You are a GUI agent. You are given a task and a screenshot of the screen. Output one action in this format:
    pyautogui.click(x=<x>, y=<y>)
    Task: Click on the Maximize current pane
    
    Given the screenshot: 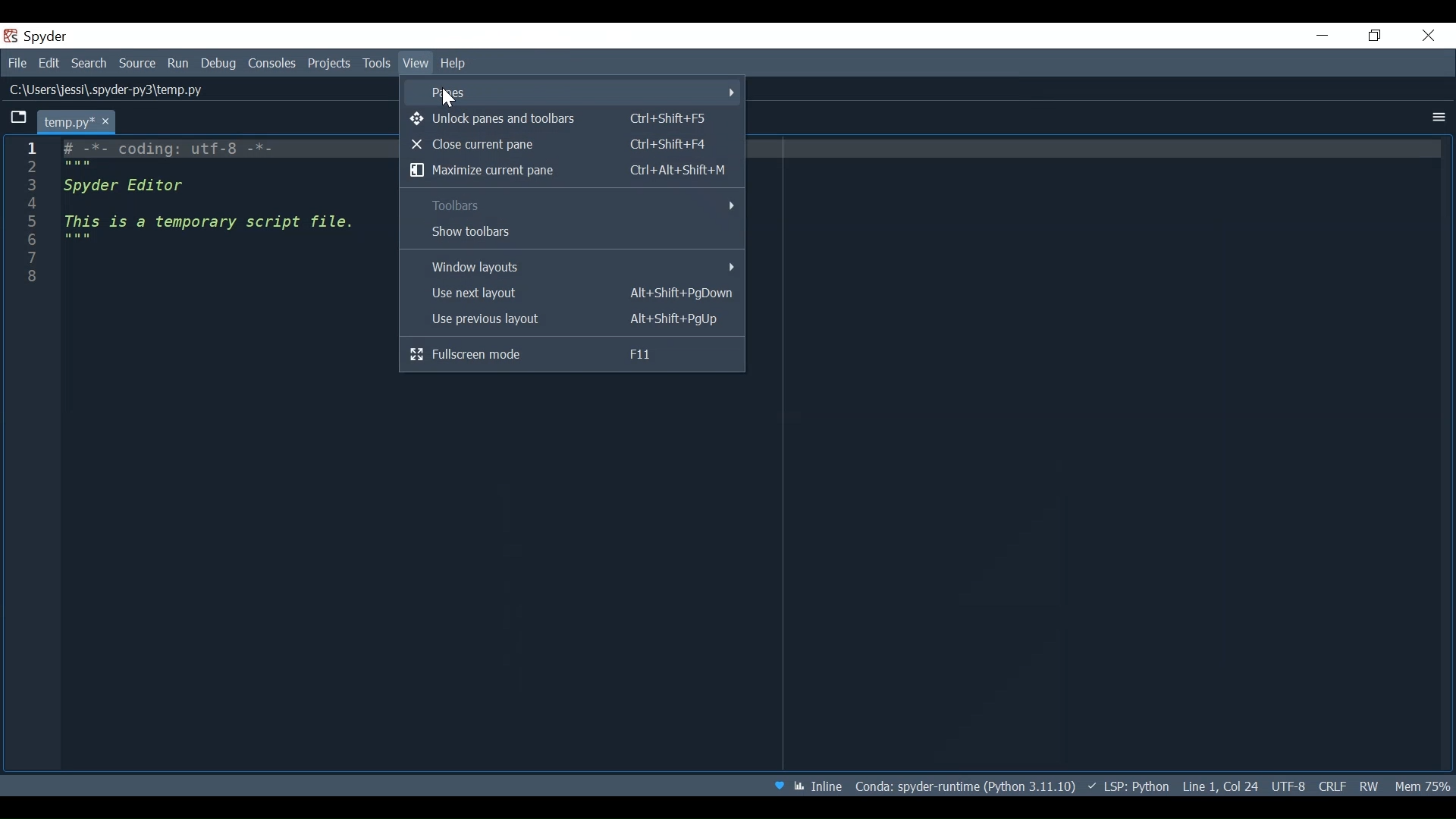 What is the action you would take?
    pyautogui.click(x=570, y=170)
    